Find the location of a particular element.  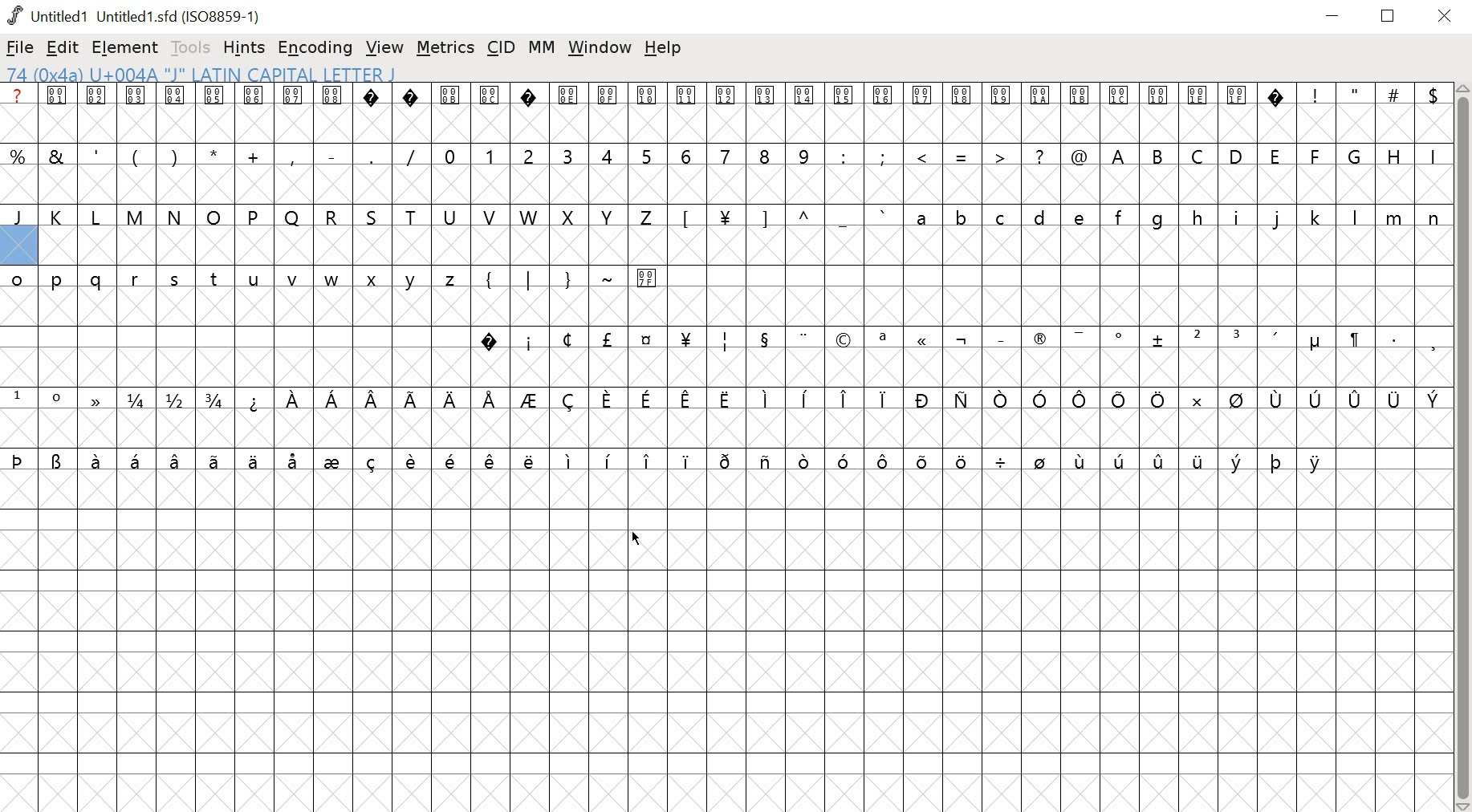

superscript numbers is located at coordinates (38, 397).